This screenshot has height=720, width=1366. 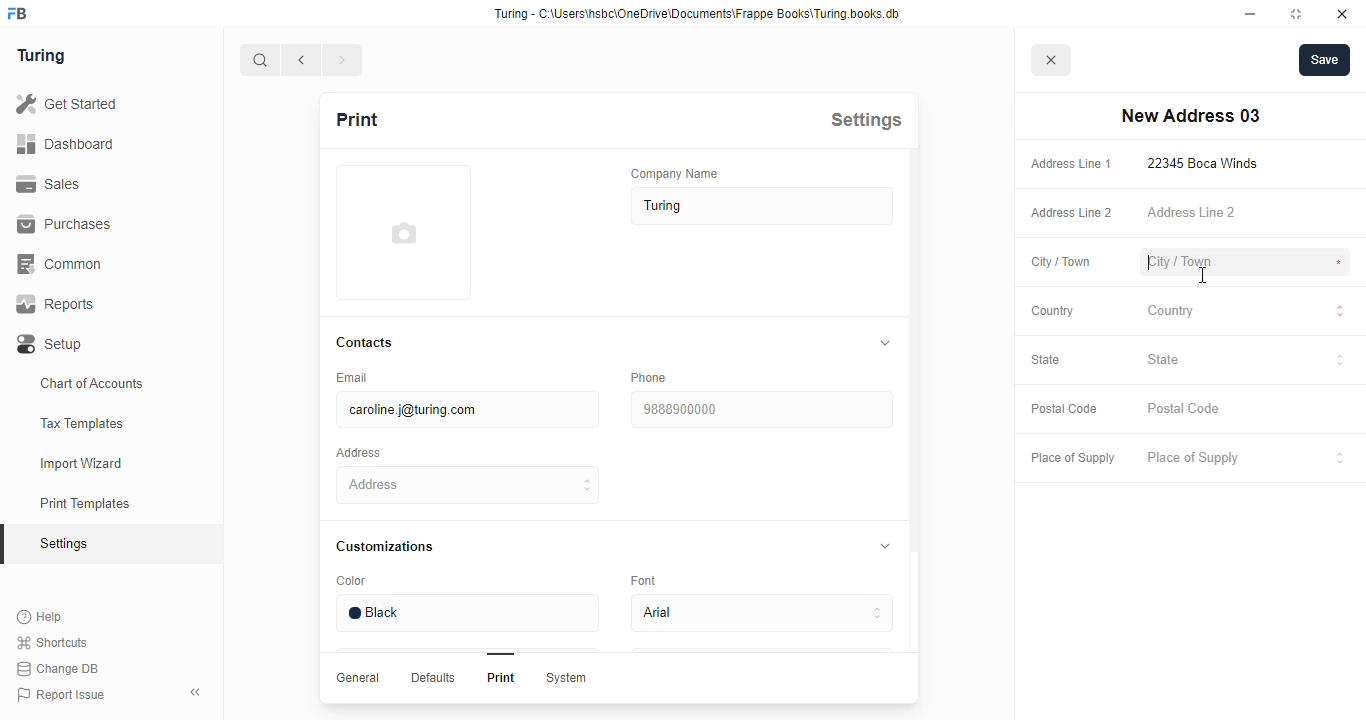 What do you see at coordinates (66, 104) in the screenshot?
I see `get started` at bounding box center [66, 104].